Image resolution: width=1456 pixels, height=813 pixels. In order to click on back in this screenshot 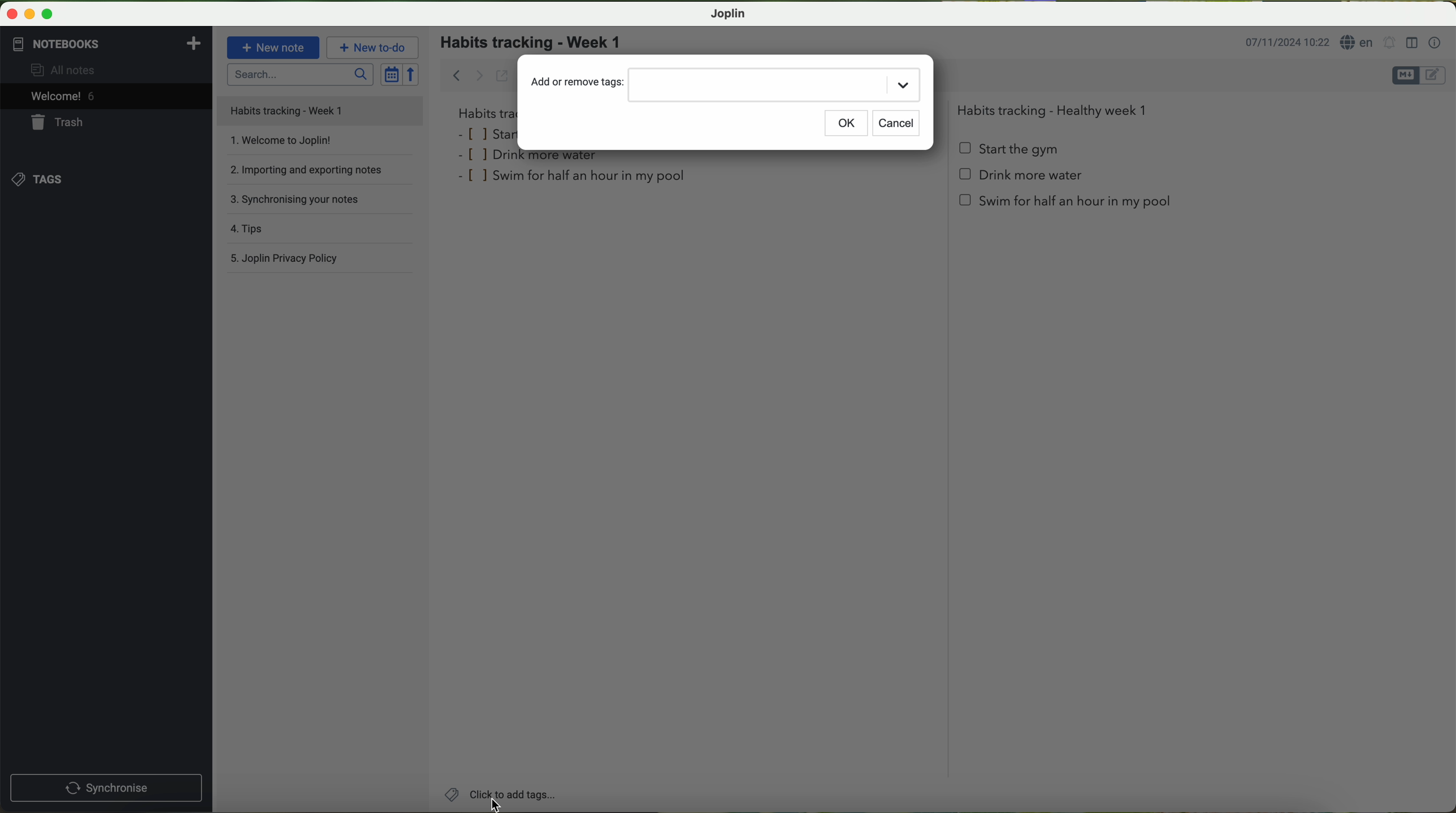, I will do `click(453, 74)`.